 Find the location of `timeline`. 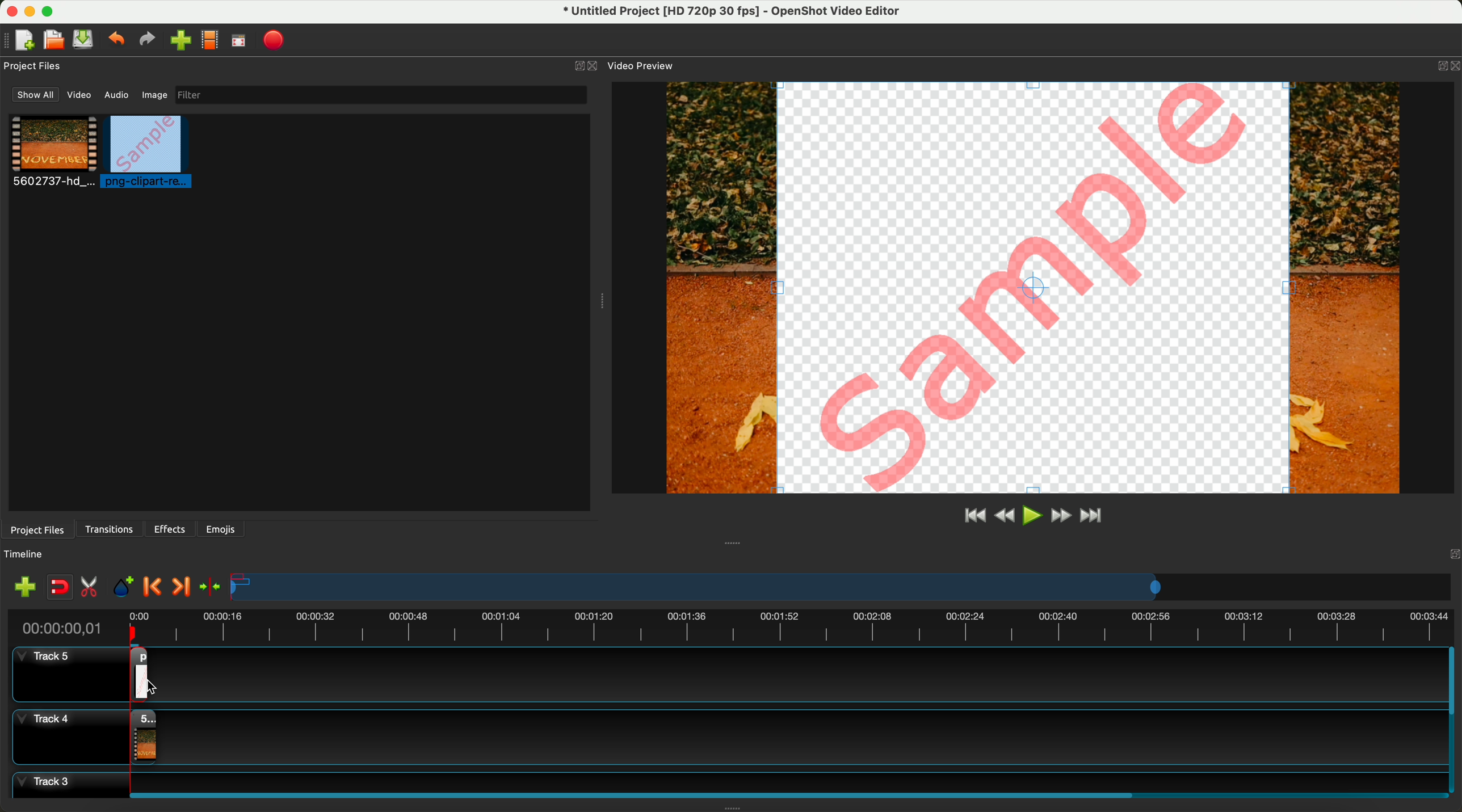

timeline is located at coordinates (842, 588).